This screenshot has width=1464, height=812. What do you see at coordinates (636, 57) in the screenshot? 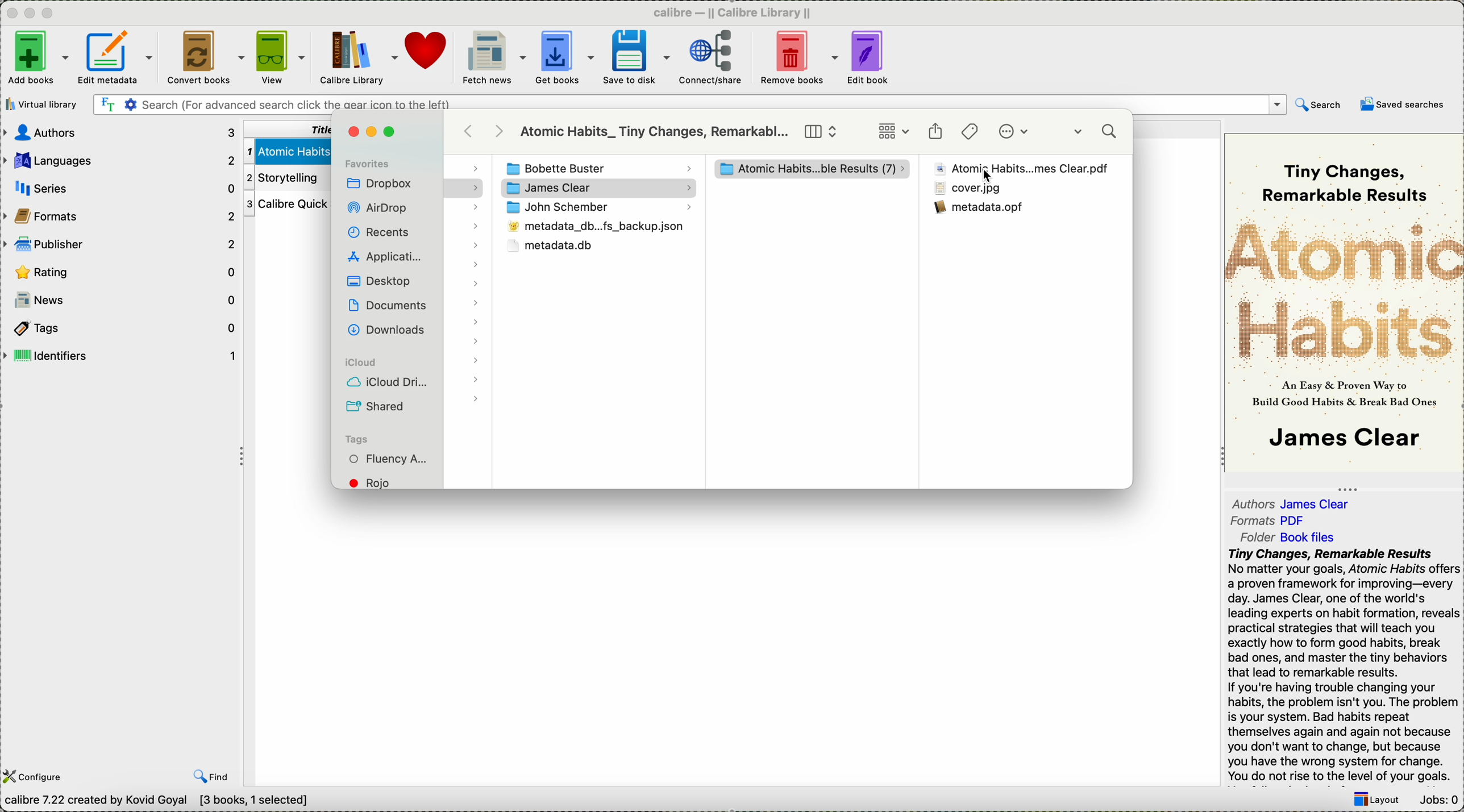
I see `save to disk` at bounding box center [636, 57].